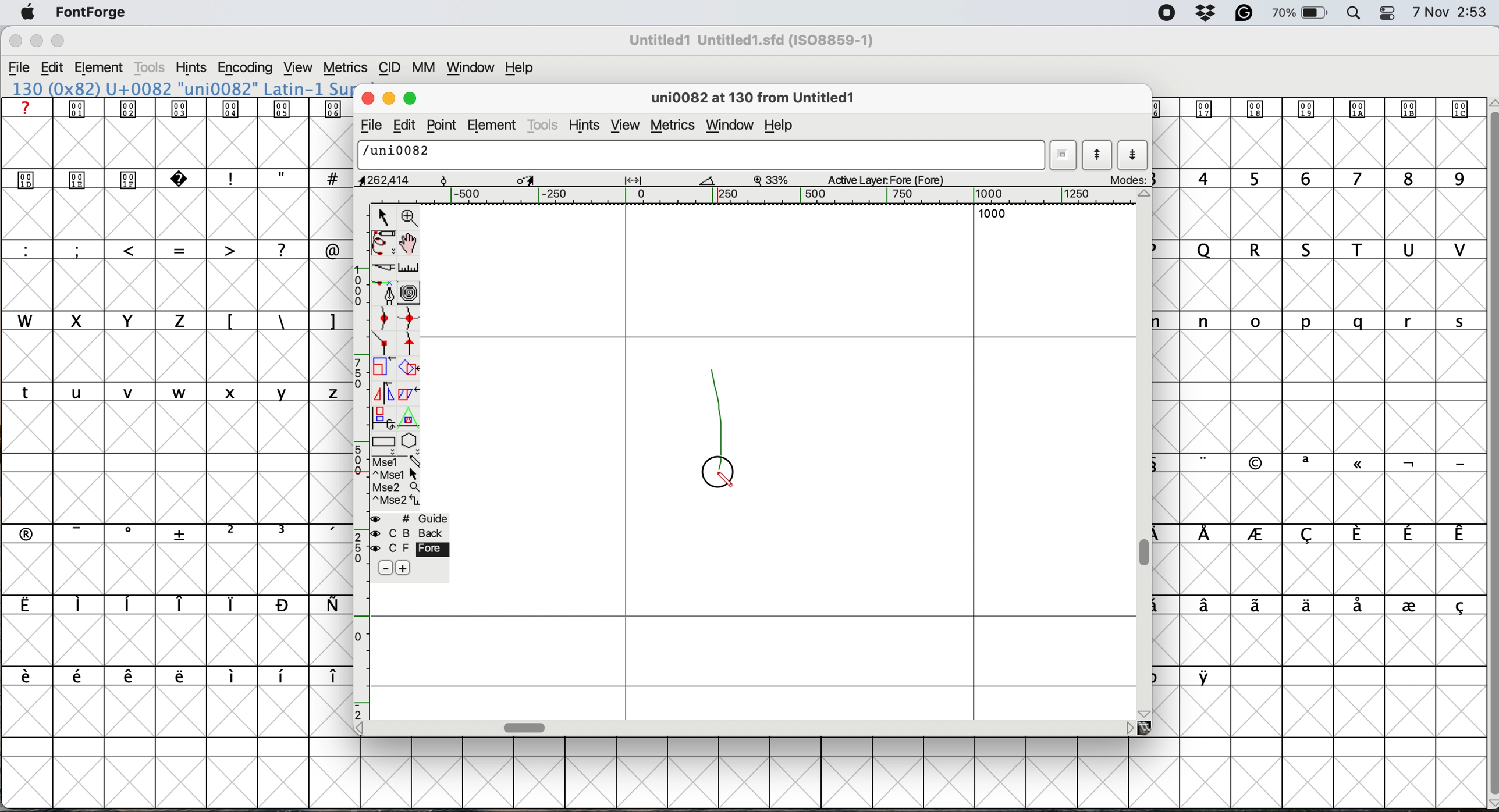 The image size is (1499, 812). What do you see at coordinates (411, 421) in the screenshot?
I see `perform a perspective transformation on selection` at bounding box center [411, 421].